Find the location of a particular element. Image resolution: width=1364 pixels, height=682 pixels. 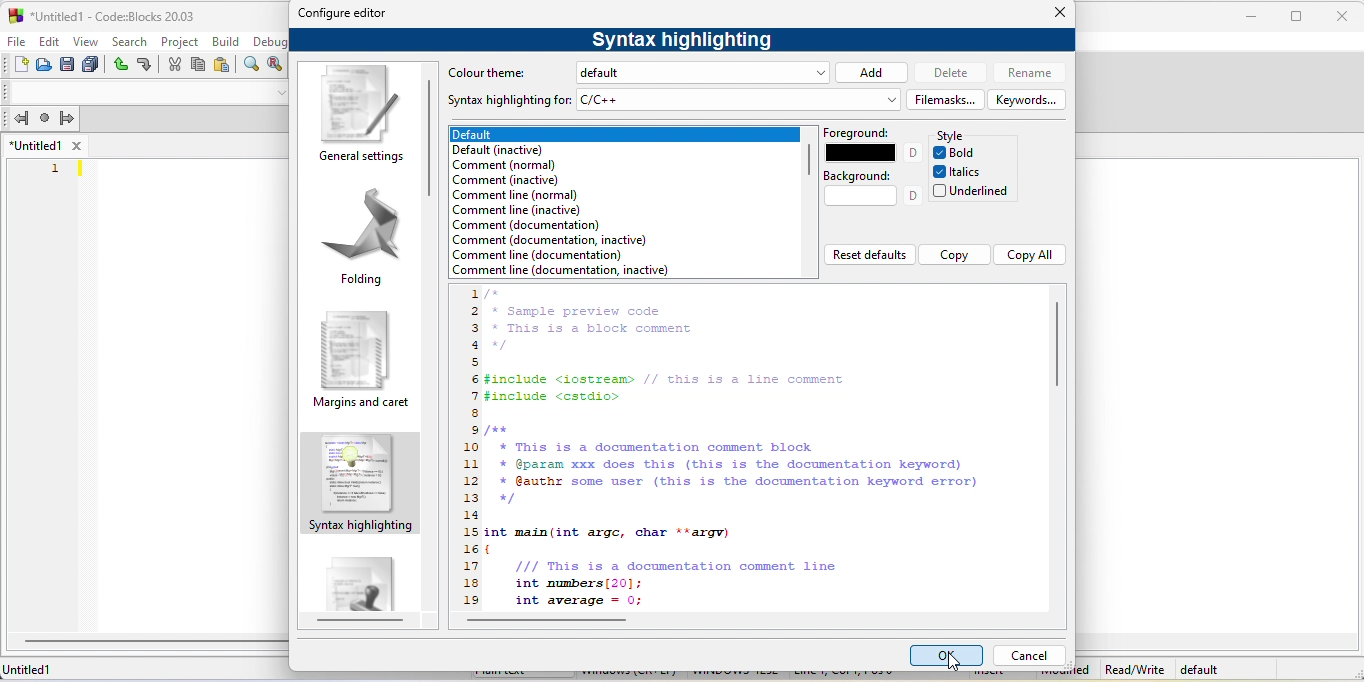

paste is located at coordinates (223, 65).